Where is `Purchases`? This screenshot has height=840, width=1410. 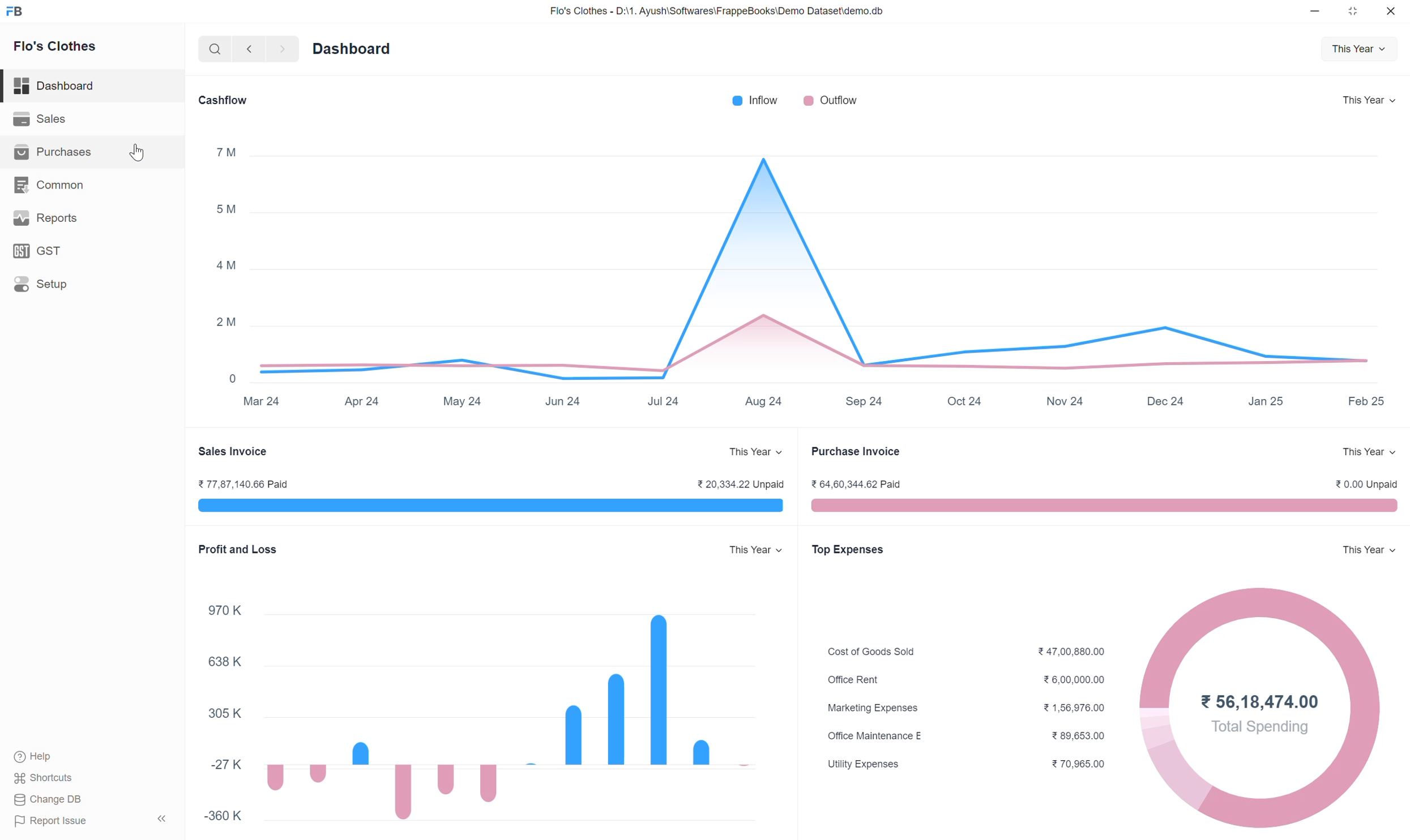
Purchases is located at coordinates (91, 152).